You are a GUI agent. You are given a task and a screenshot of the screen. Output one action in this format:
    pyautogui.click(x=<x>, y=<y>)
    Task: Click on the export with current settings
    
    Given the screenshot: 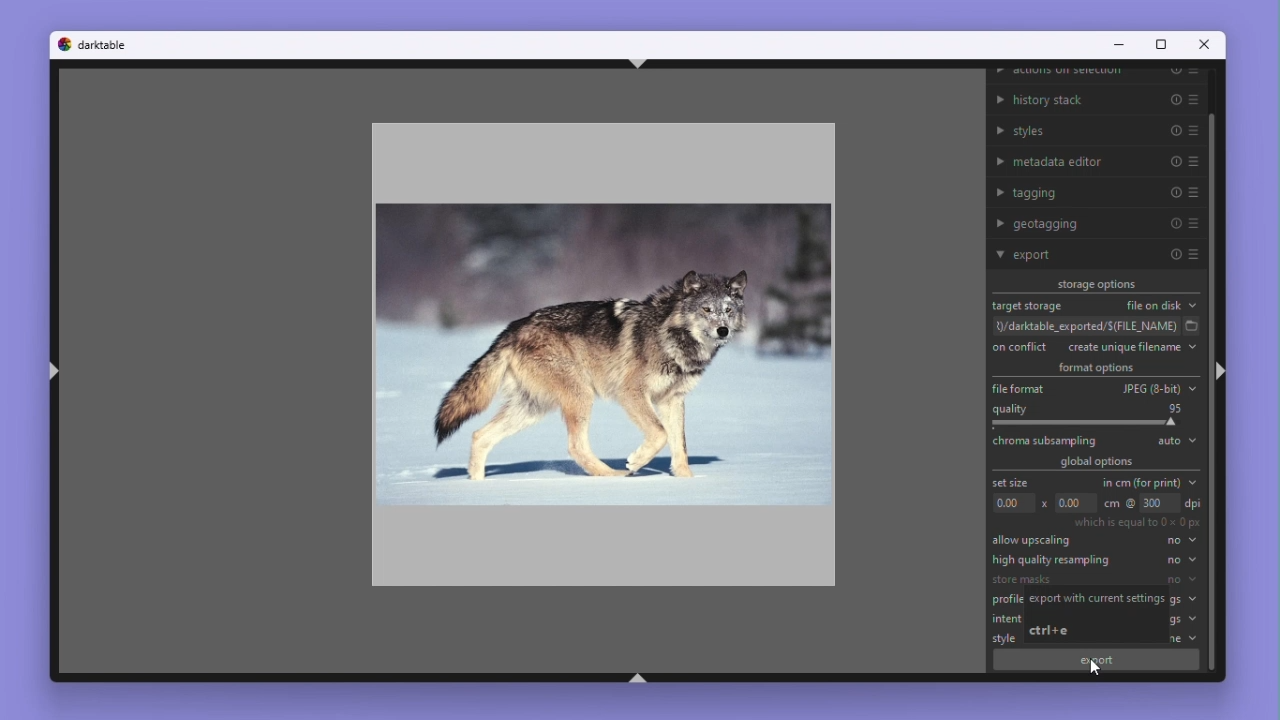 What is the action you would take?
    pyautogui.click(x=1099, y=599)
    